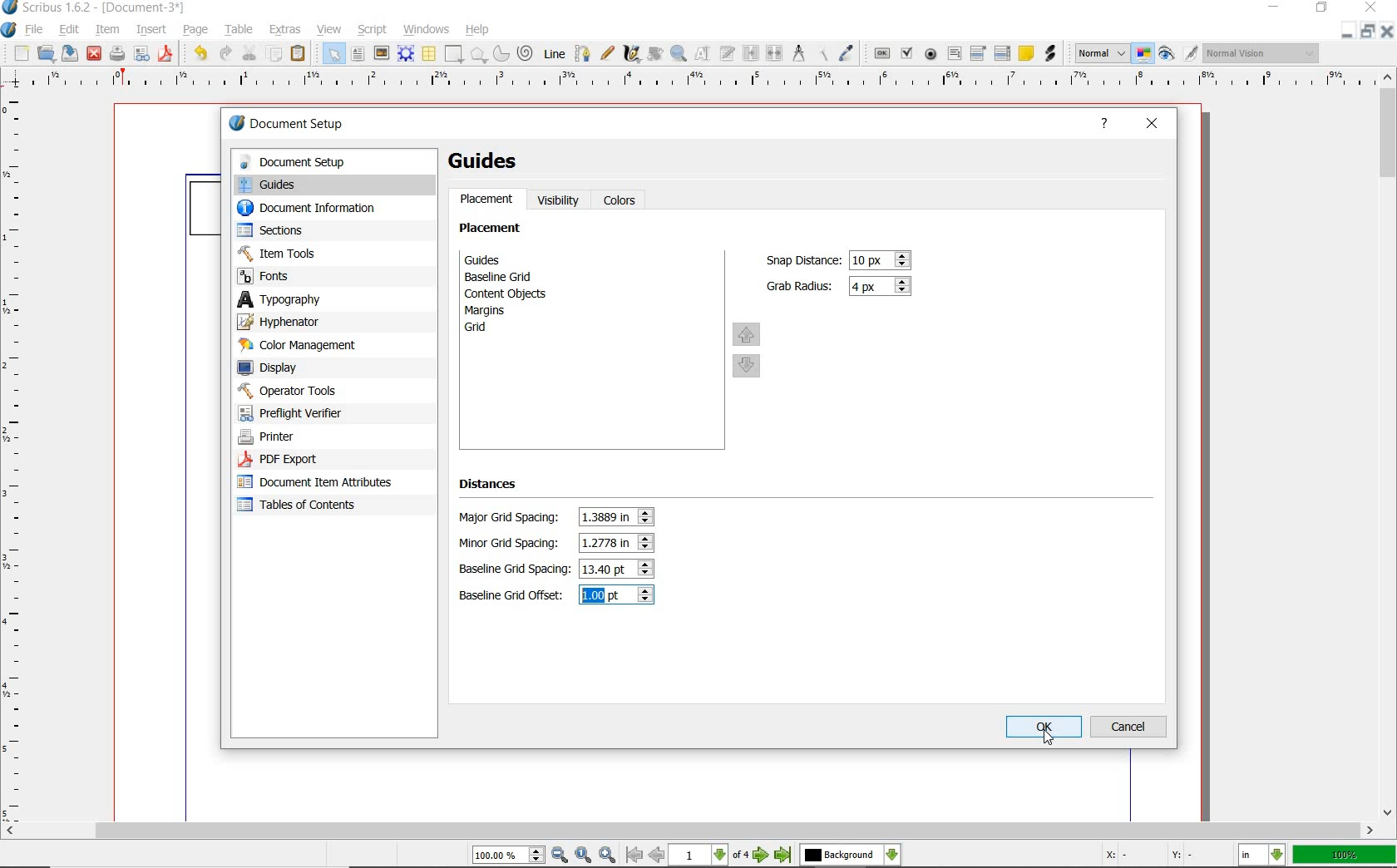 The height and width of the screenshot is (868, 1397). What do you see at coordinates (500, 55) in the screenshot?
I see `arc` at bounding box center [500, 55].